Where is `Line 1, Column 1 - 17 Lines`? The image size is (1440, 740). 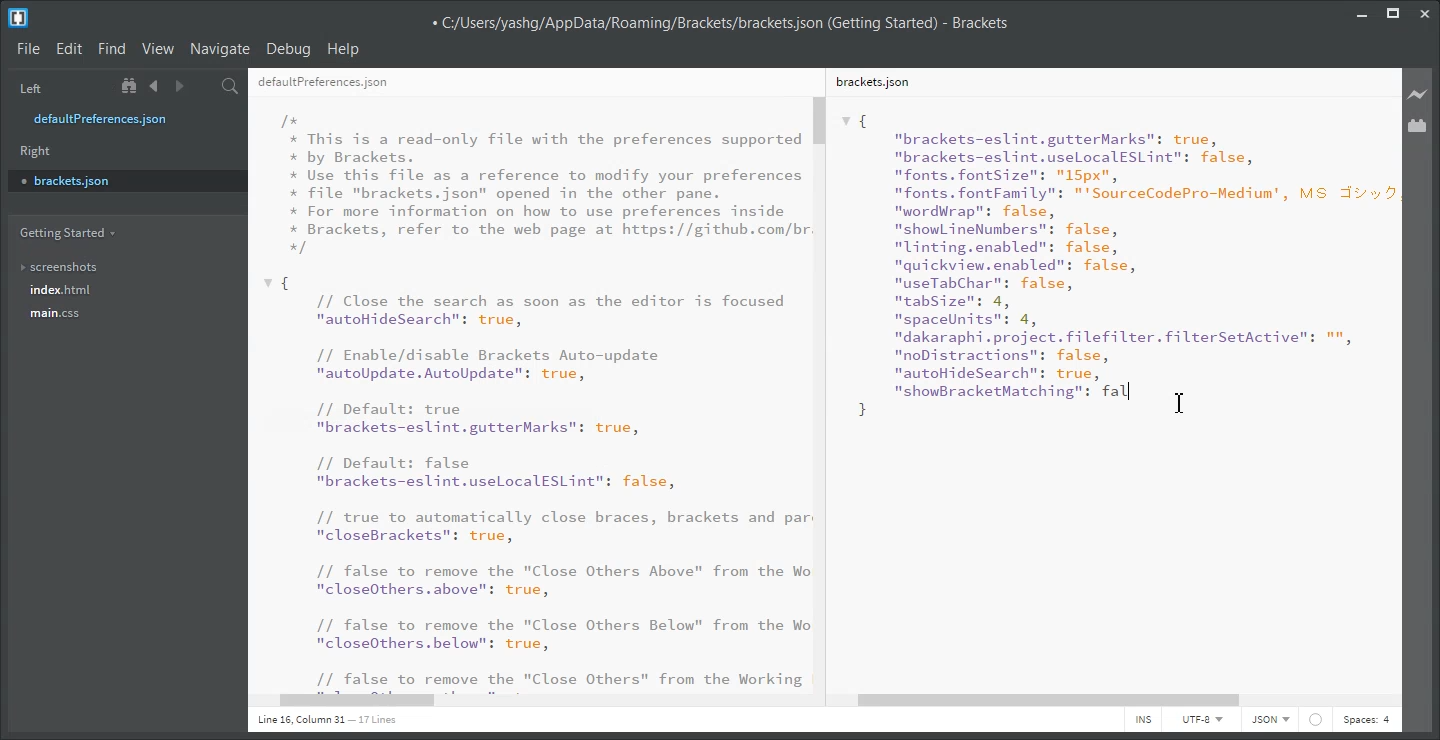 Line 1, Column 1 - 17 Lines is located at coordinates (324, 721).